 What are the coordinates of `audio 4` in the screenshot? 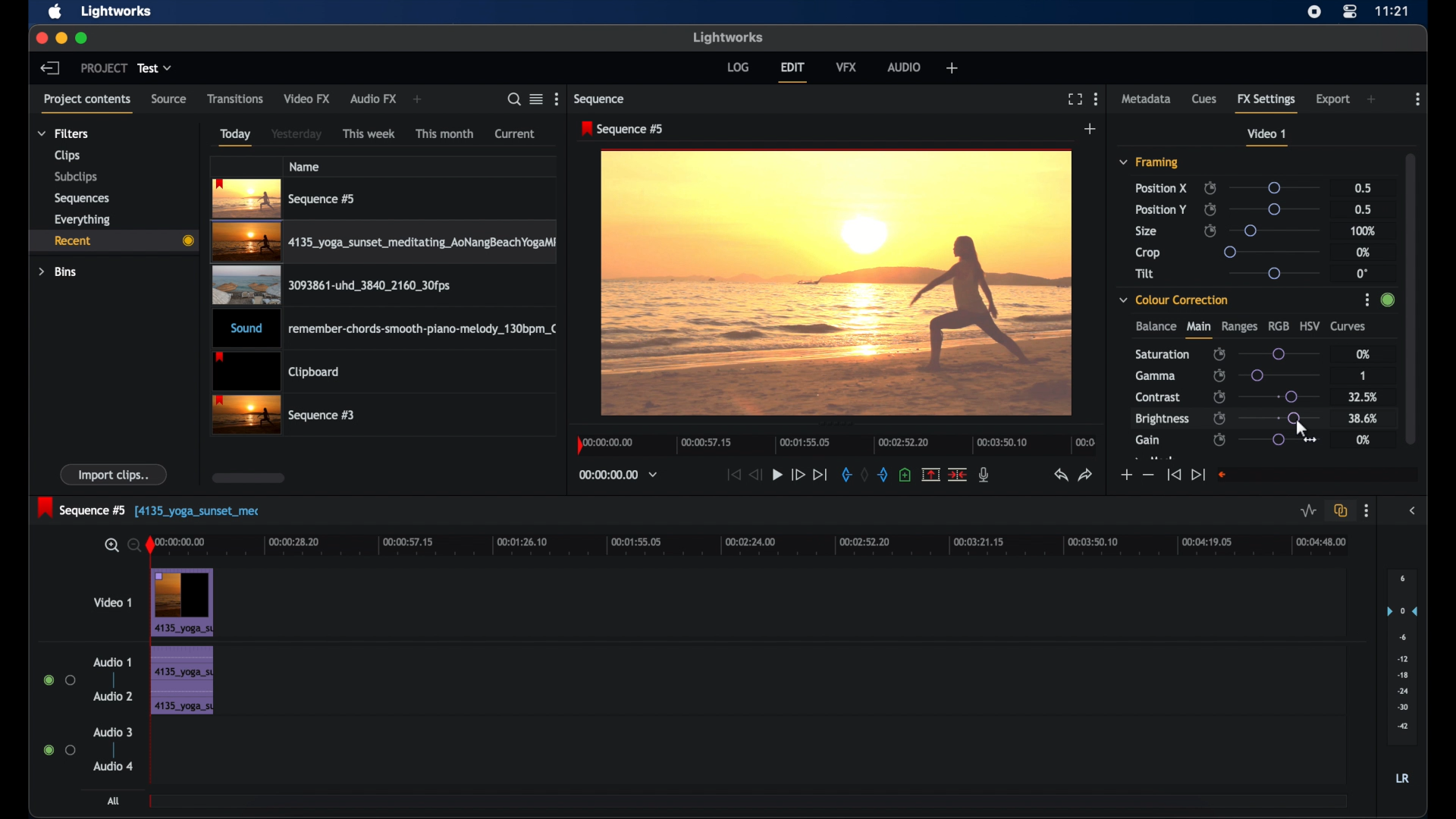 It's located at (114, 765).